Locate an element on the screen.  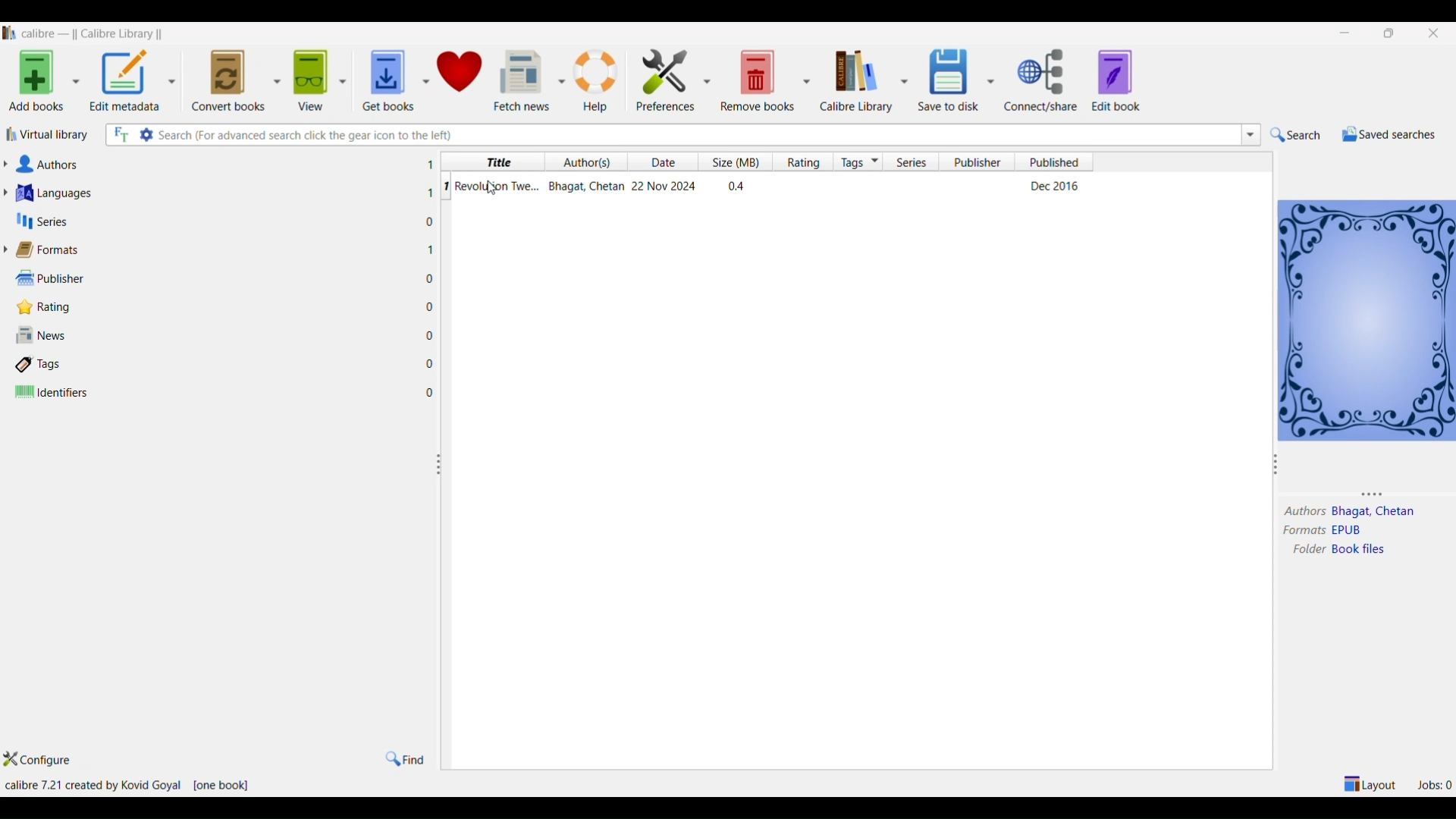
calibre library is located at coordinates (854, 80).